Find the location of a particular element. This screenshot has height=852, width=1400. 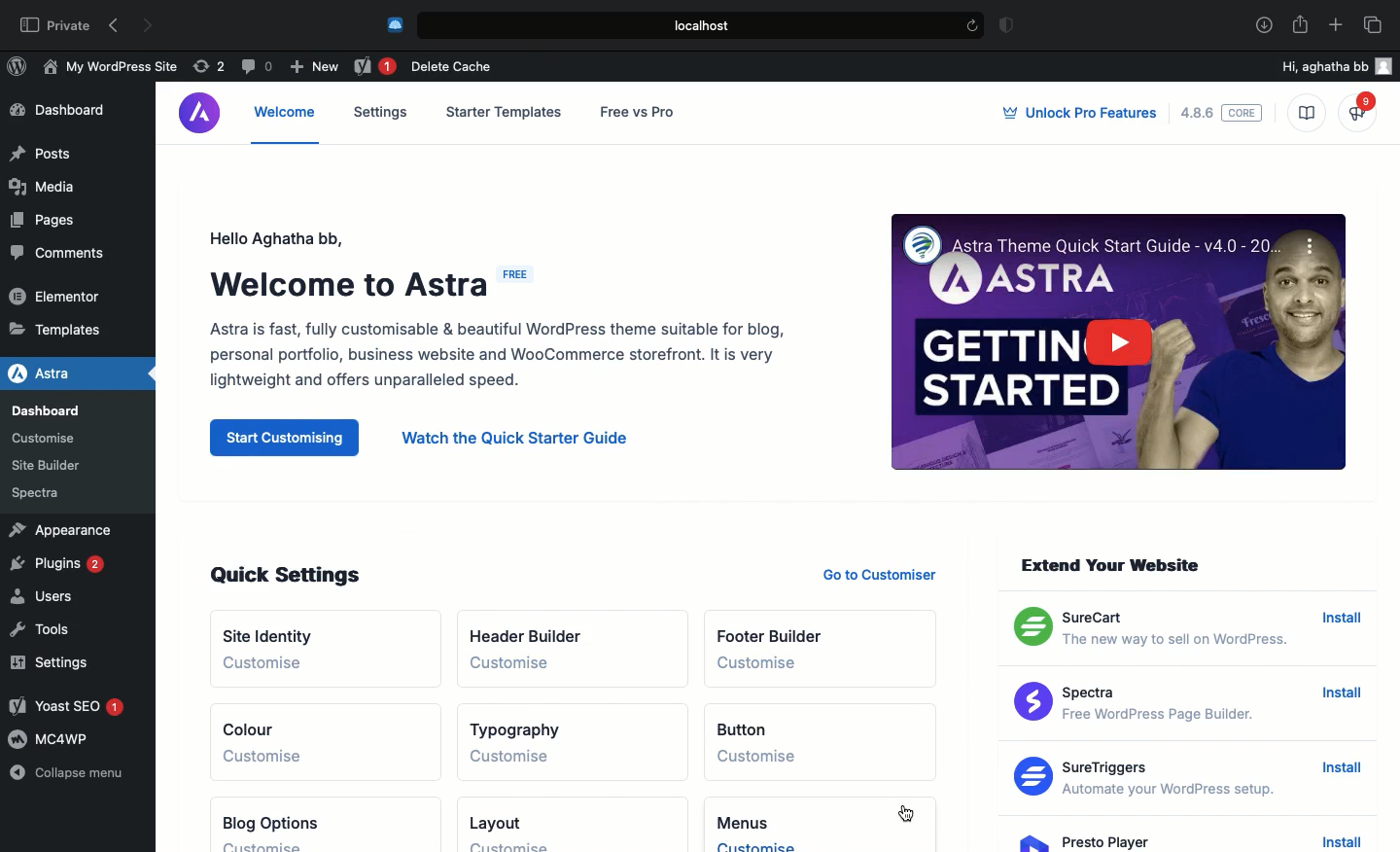

Header builder is located at coordinates (527, 636).